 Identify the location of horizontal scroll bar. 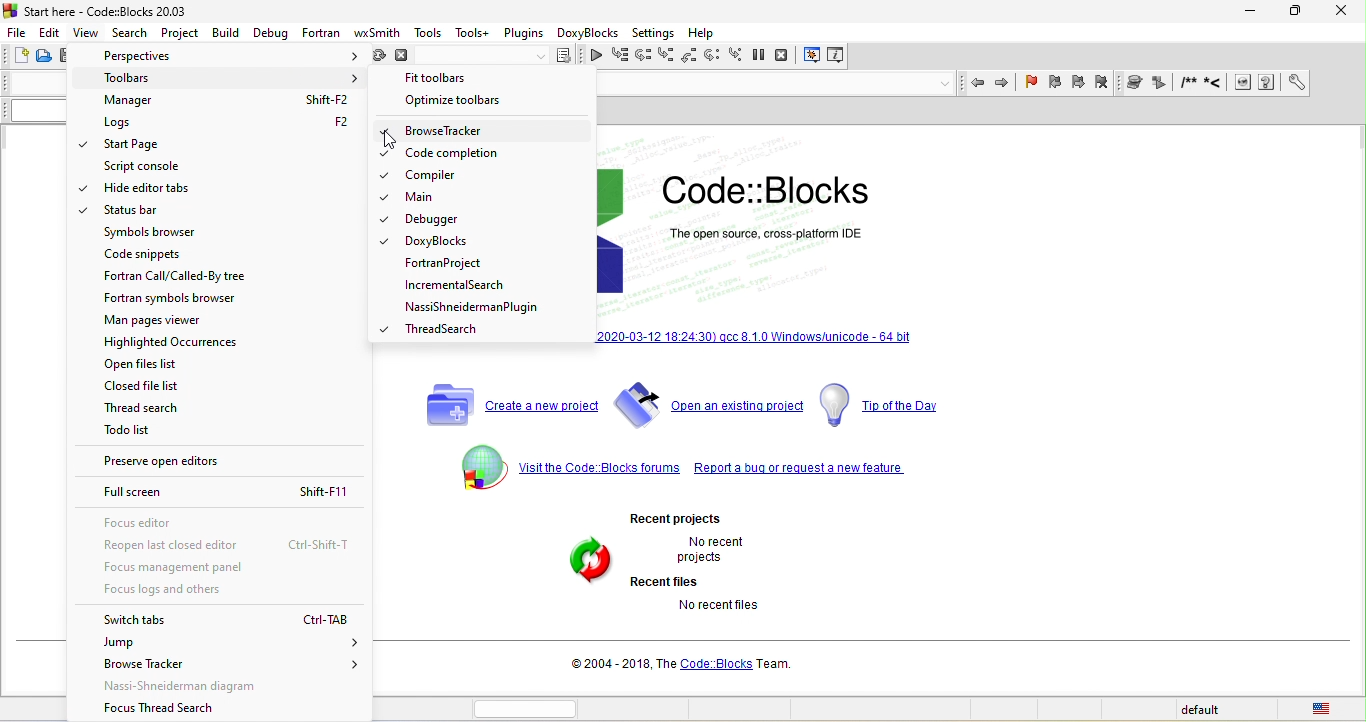
(529, 708).